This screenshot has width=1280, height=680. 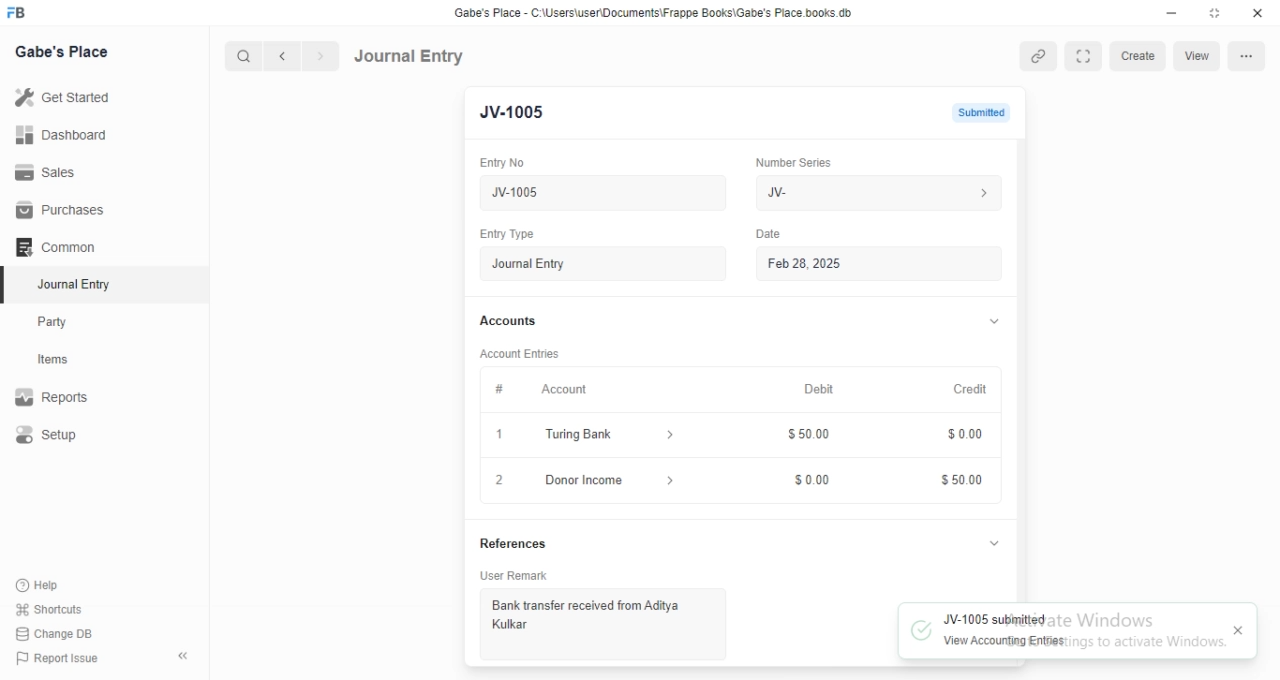 I want to click on Journal Entry, so click(x=65, y=286).